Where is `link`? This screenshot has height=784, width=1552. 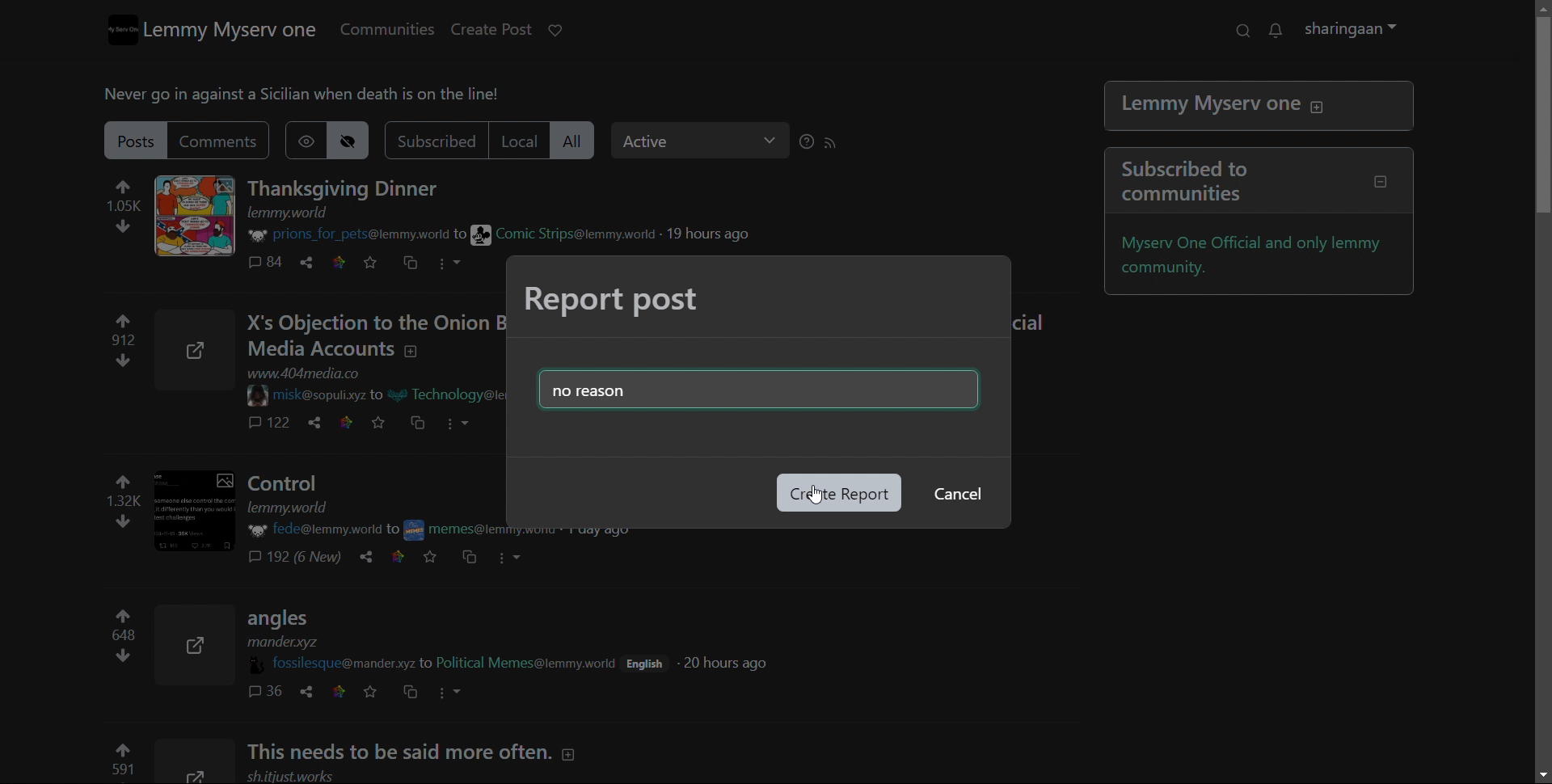
link is located at coordinates (351, 424).